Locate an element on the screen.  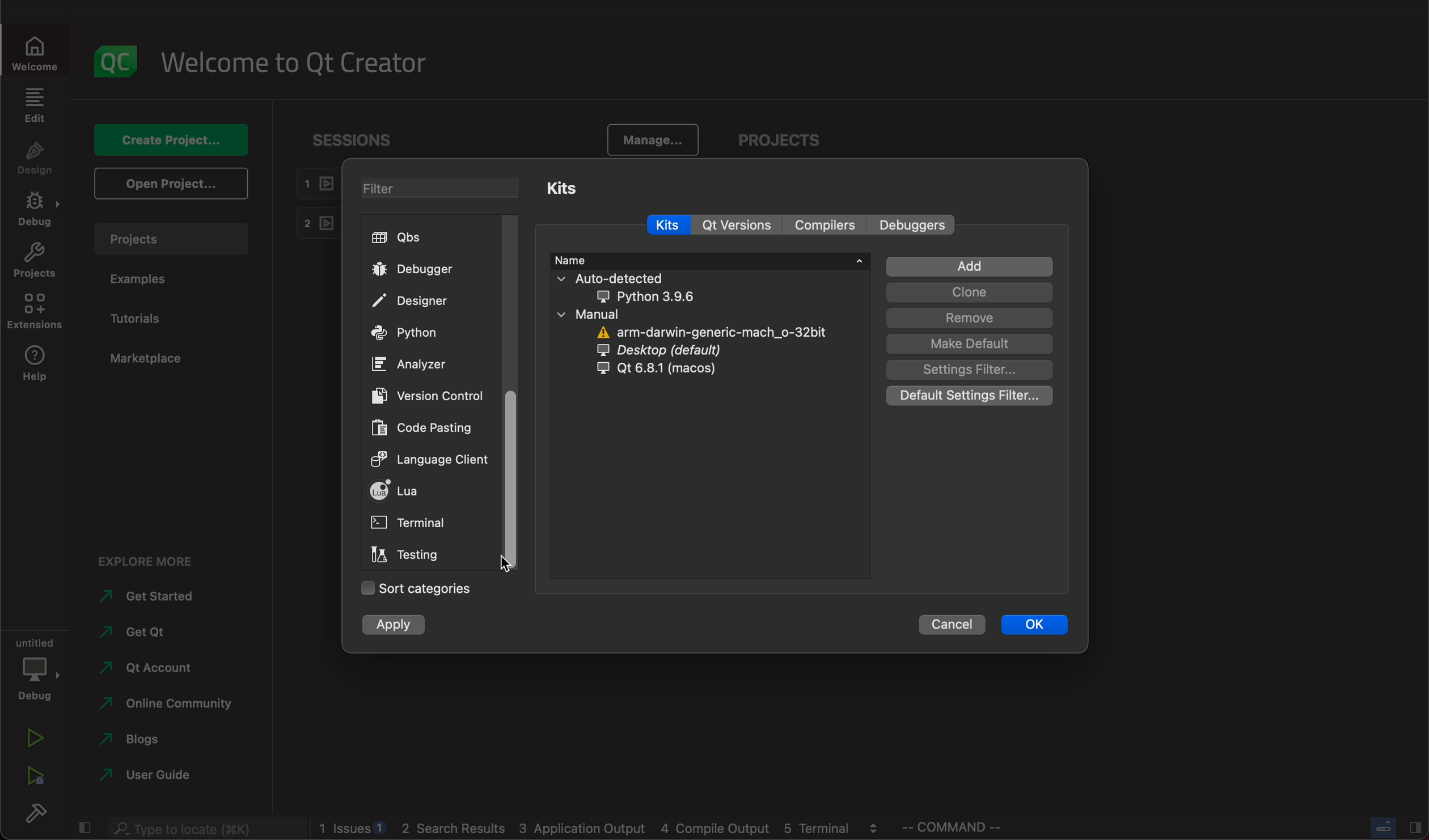
cursor is located at coordinates (526, 562).